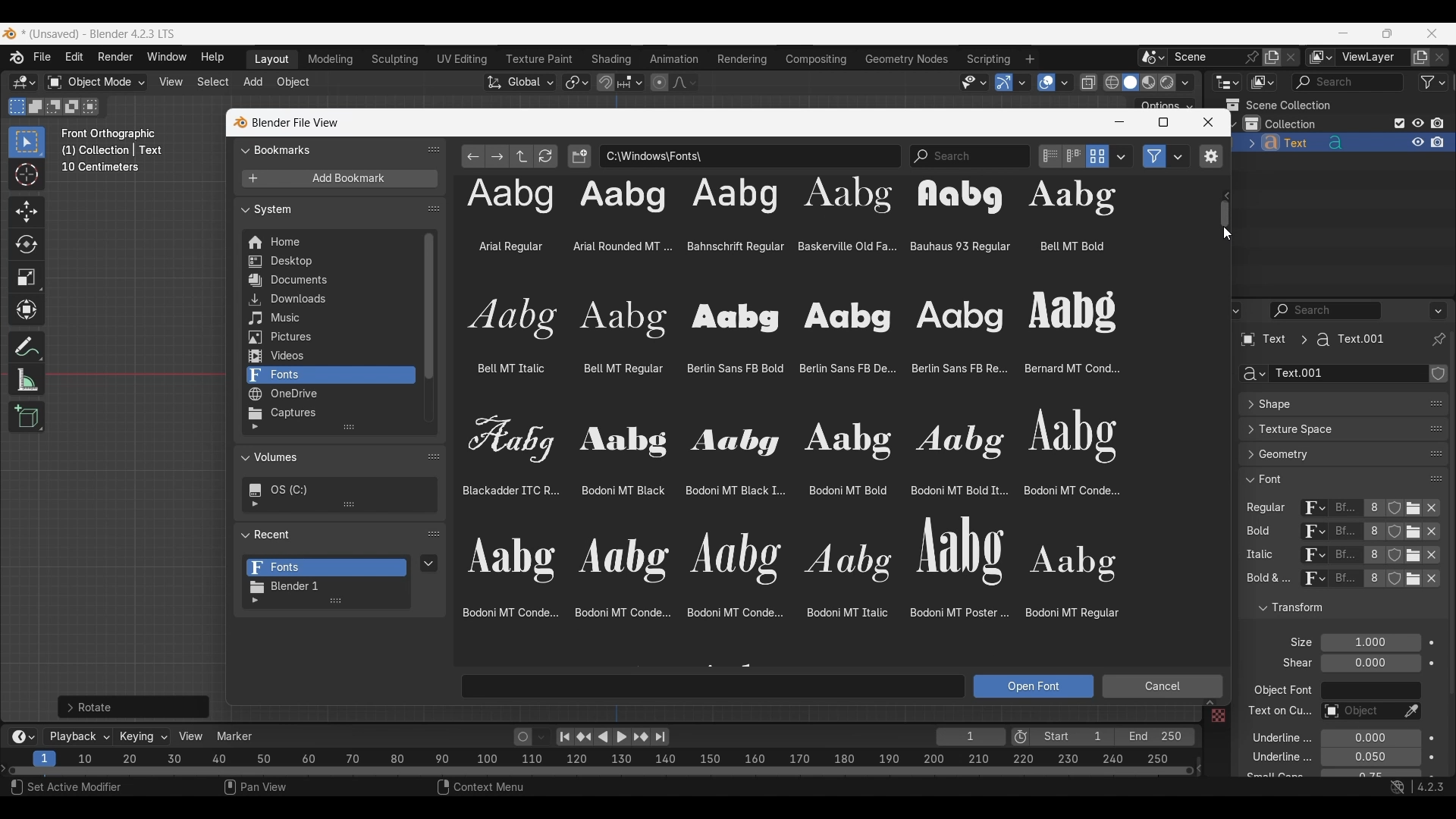  I want to click on Playback, so click(79, 737).